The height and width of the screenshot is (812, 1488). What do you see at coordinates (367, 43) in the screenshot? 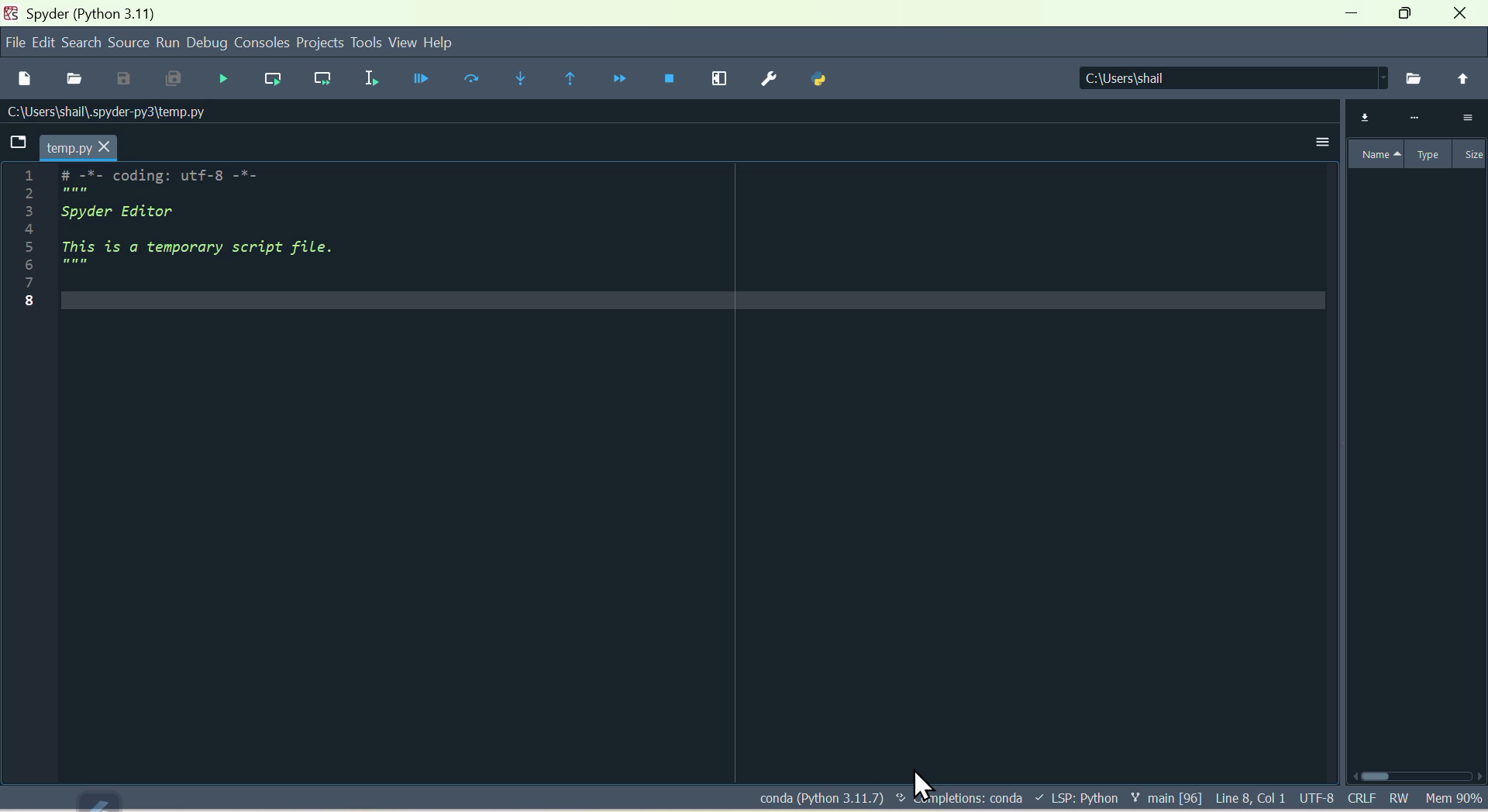
I see `Tools ` at bounding box center [367, 43].